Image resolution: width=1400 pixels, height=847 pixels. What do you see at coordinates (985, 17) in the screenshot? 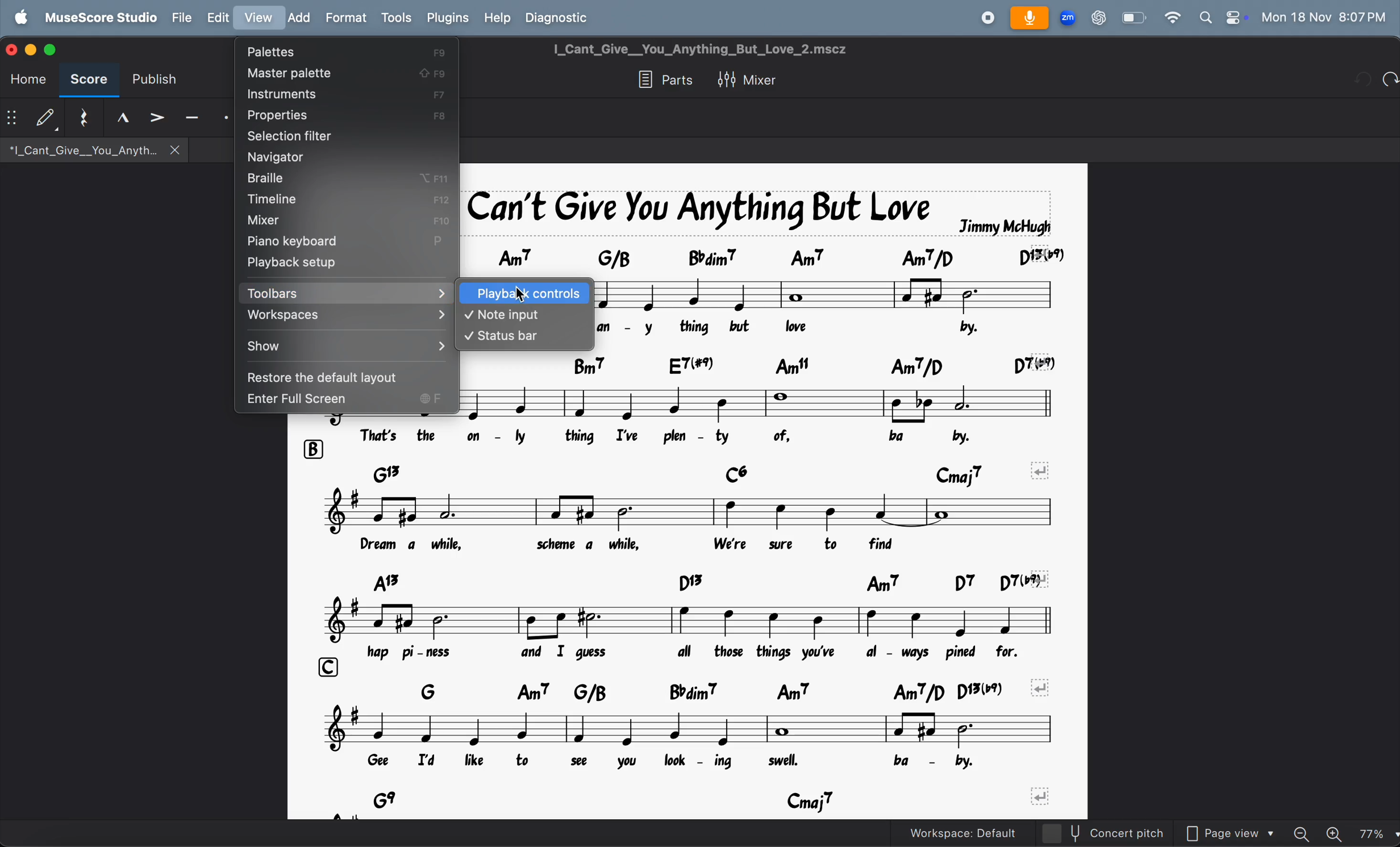
I see `record` at bounding box center [985, 17].